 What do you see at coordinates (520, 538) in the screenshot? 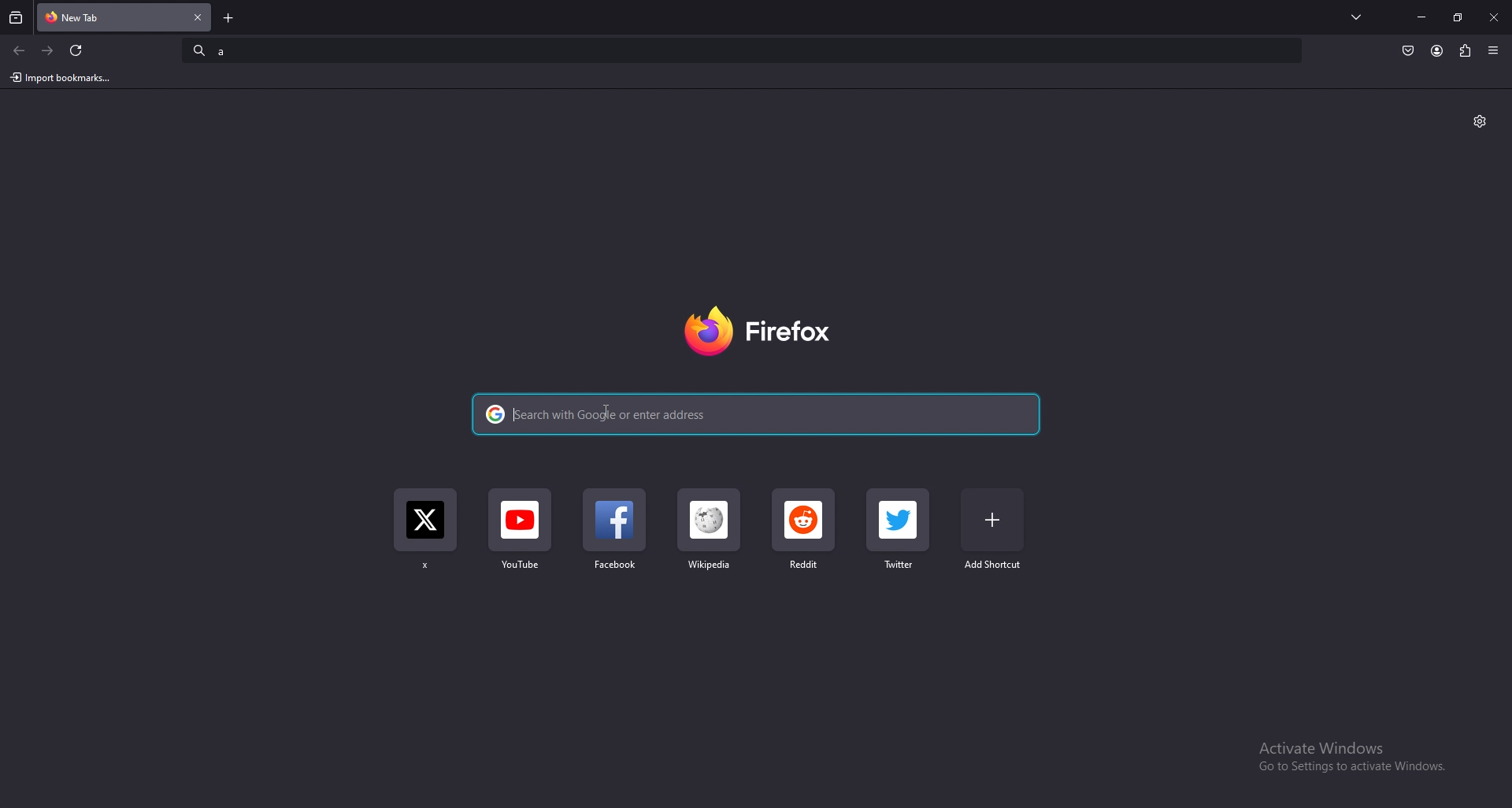
I see `youtube` at bounding box center [520, 538].